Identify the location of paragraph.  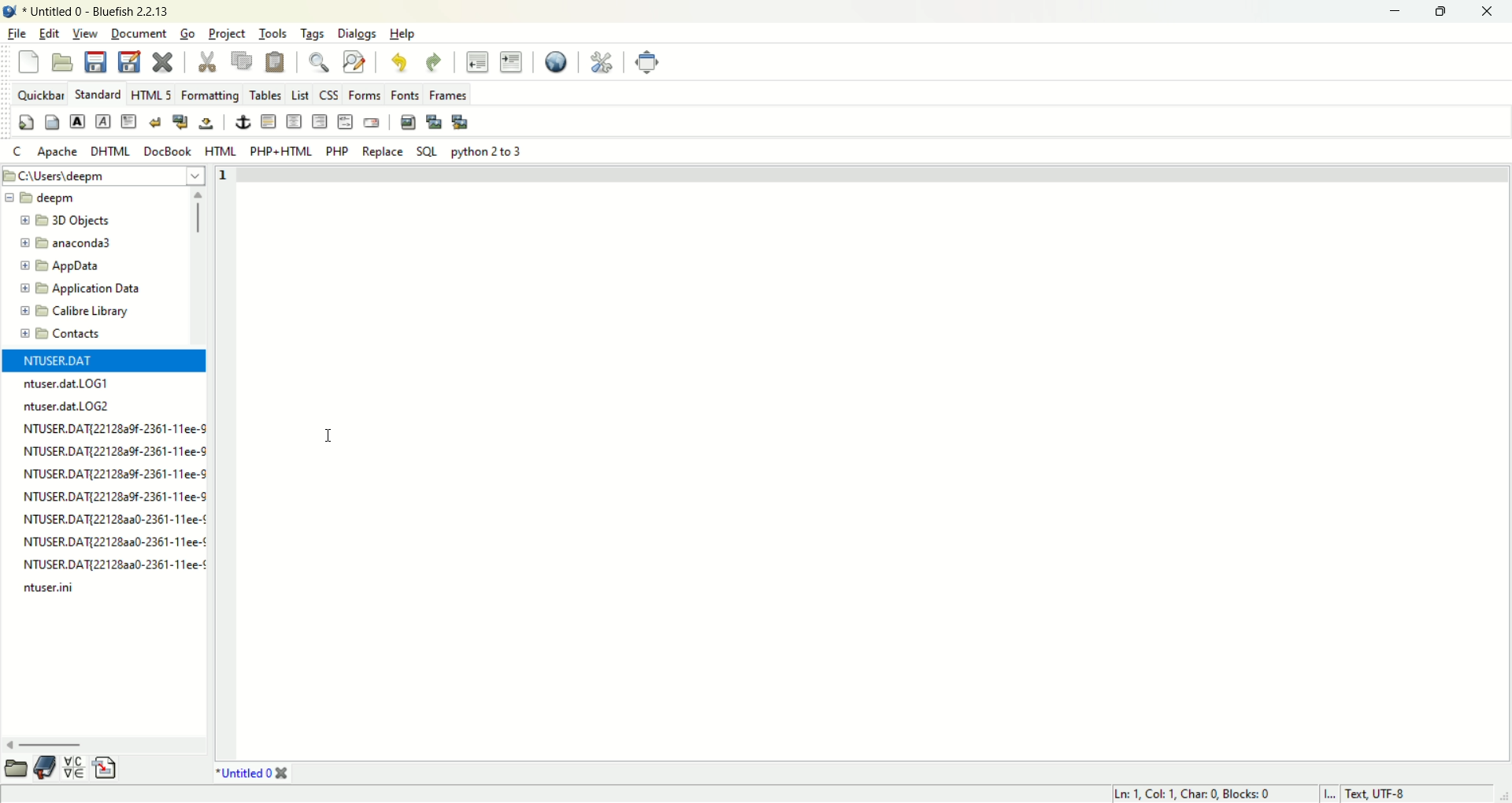
(129, 120).